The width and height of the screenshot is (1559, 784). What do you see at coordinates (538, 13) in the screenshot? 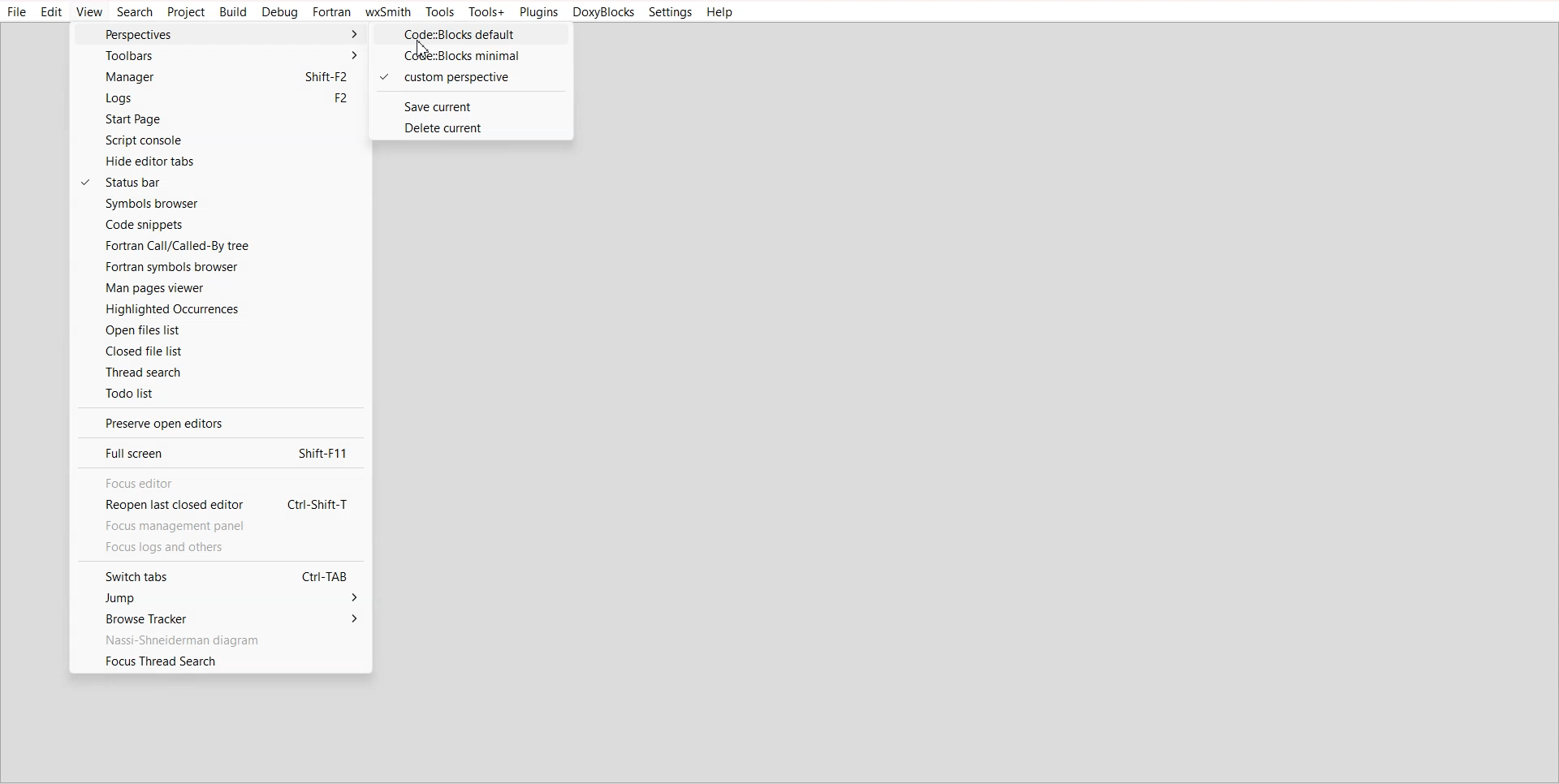
I see `Plugins` at bounding box center [538, 13].